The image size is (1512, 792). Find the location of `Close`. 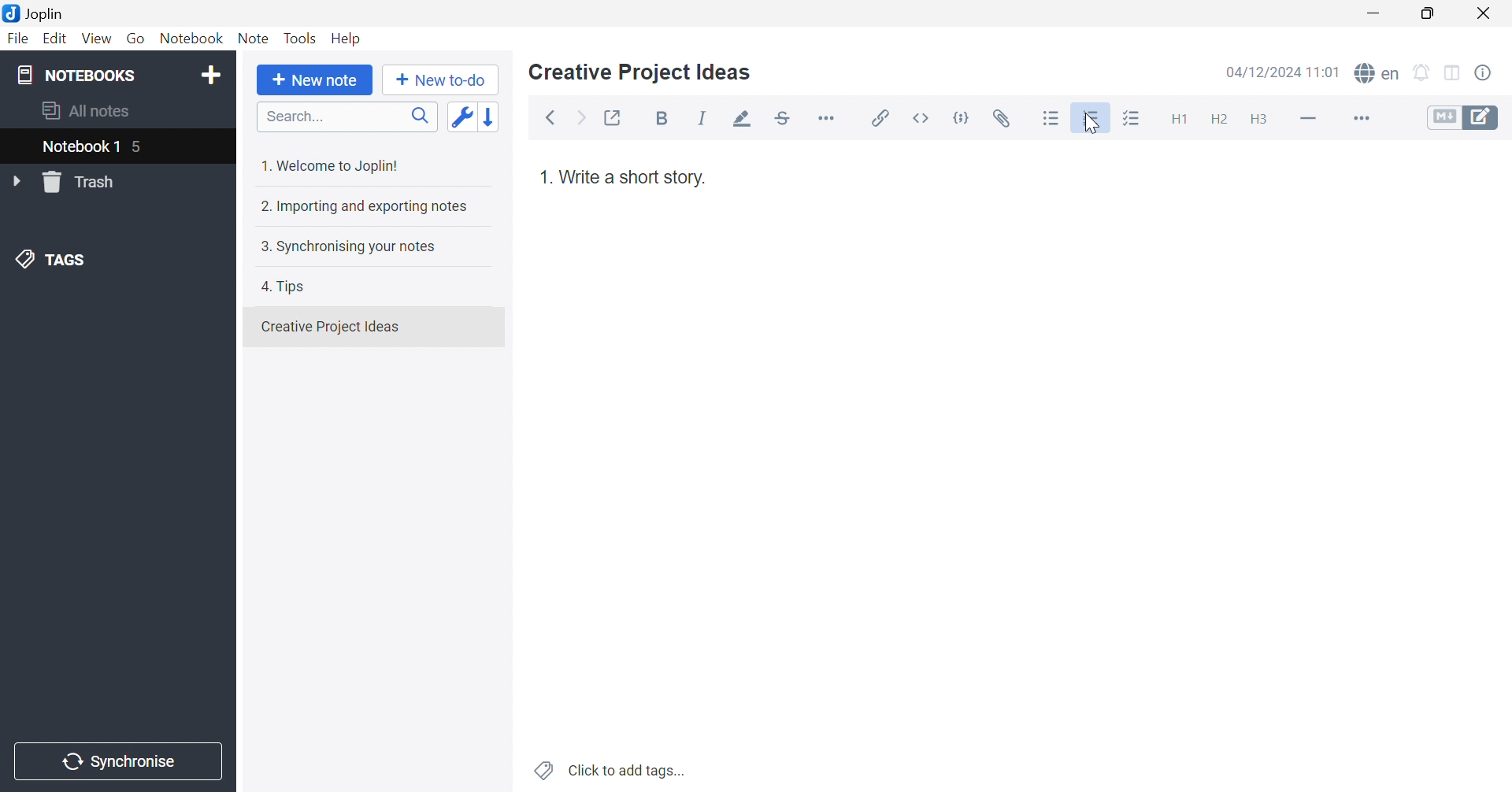

Close is located at coordinates (1487, 14).